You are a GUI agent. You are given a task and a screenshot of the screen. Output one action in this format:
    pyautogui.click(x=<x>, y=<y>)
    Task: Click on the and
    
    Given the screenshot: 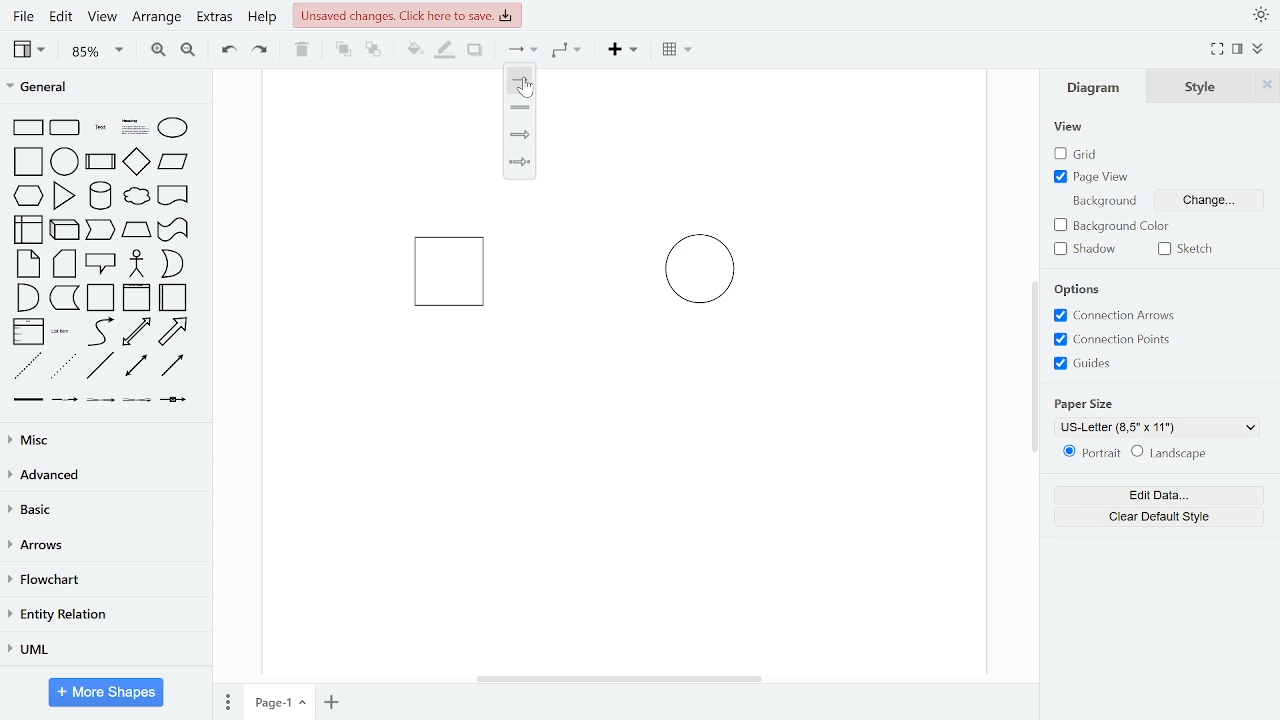 What is the action you would take?
    pyautogui.click(x=28, y=296)
    